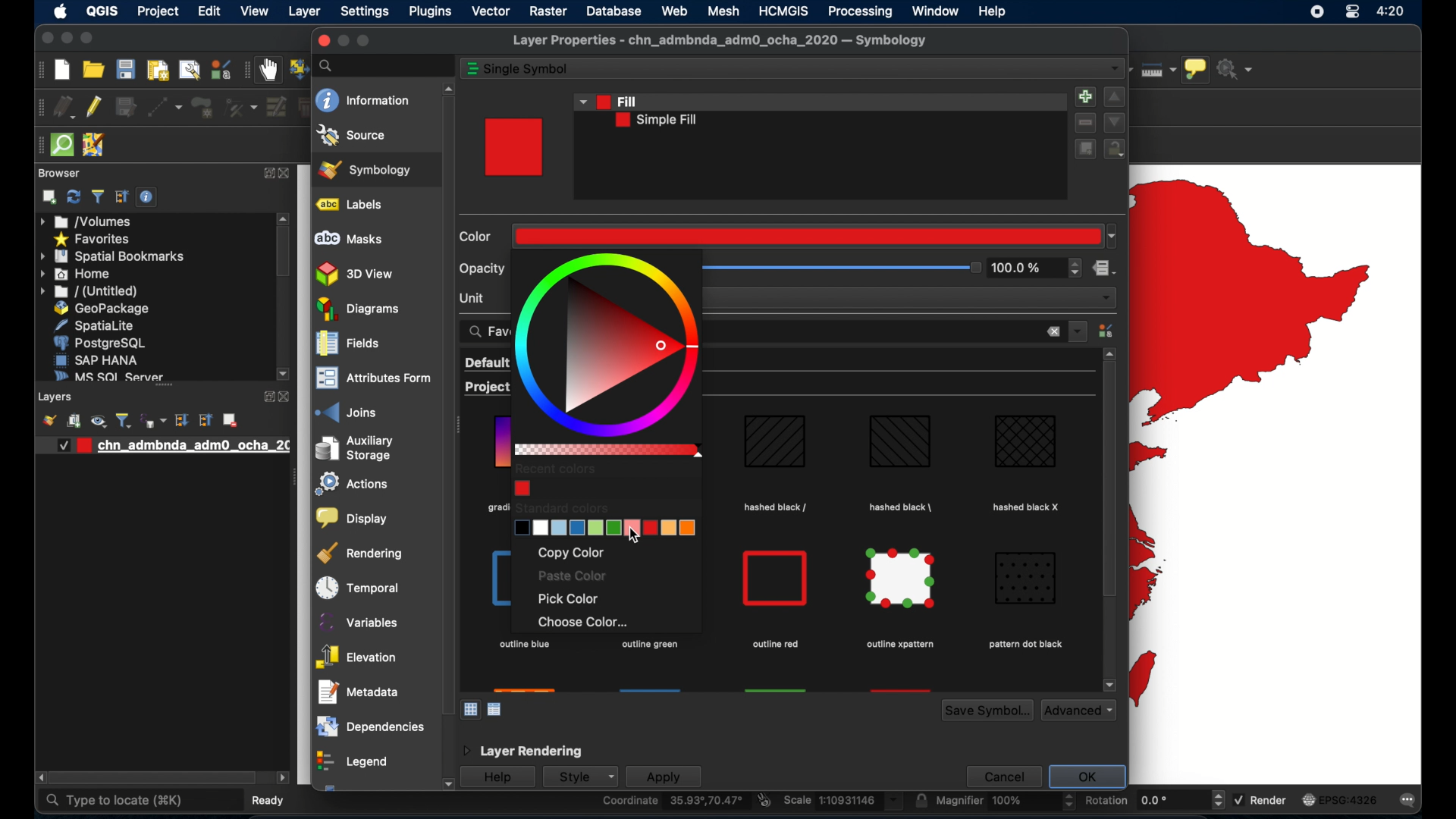  Describe the element at coordinates (366, 12) in the screenshot. I see `settings` at that location.